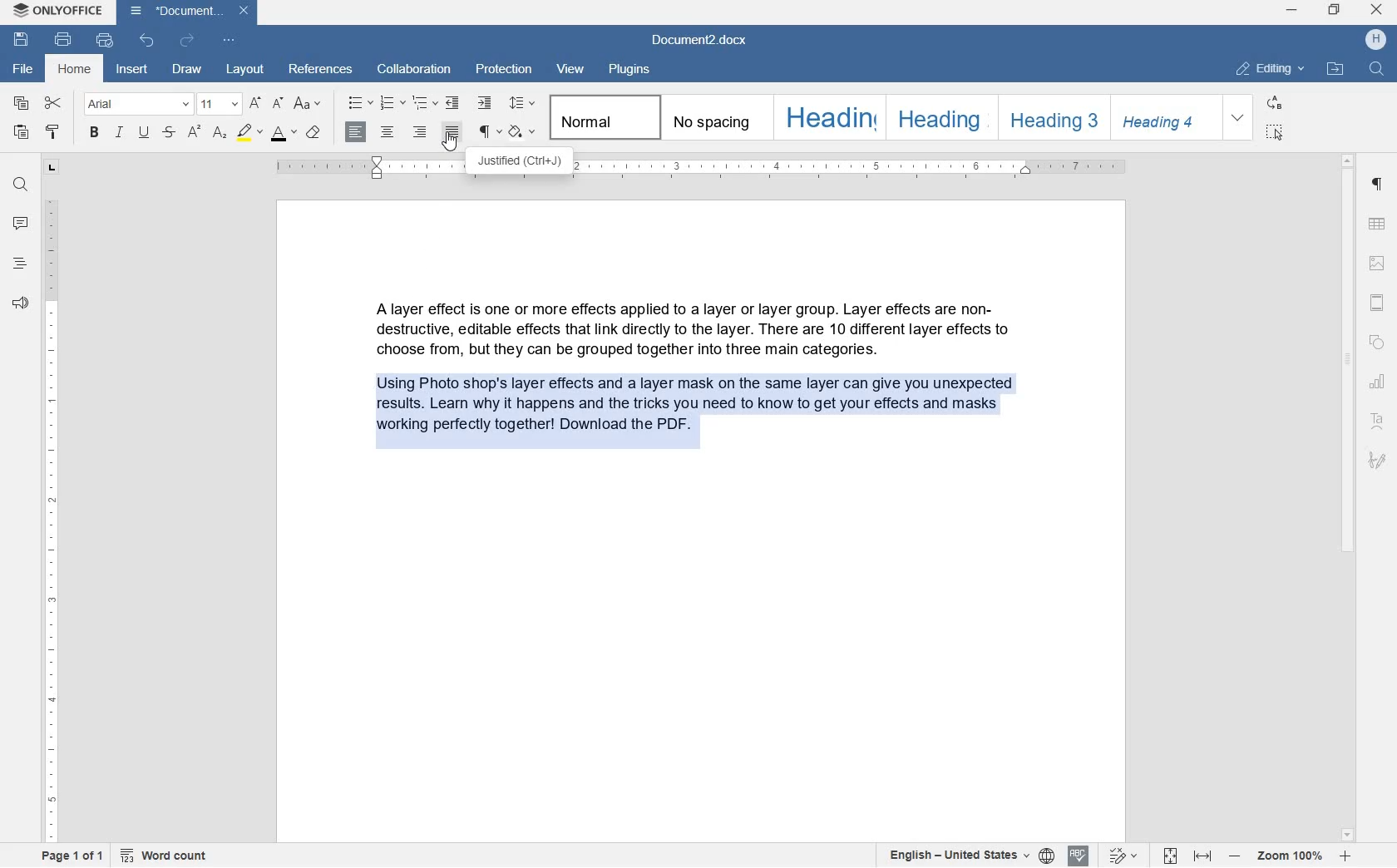  I want to click on HEADING 3, so click(1049, 116).